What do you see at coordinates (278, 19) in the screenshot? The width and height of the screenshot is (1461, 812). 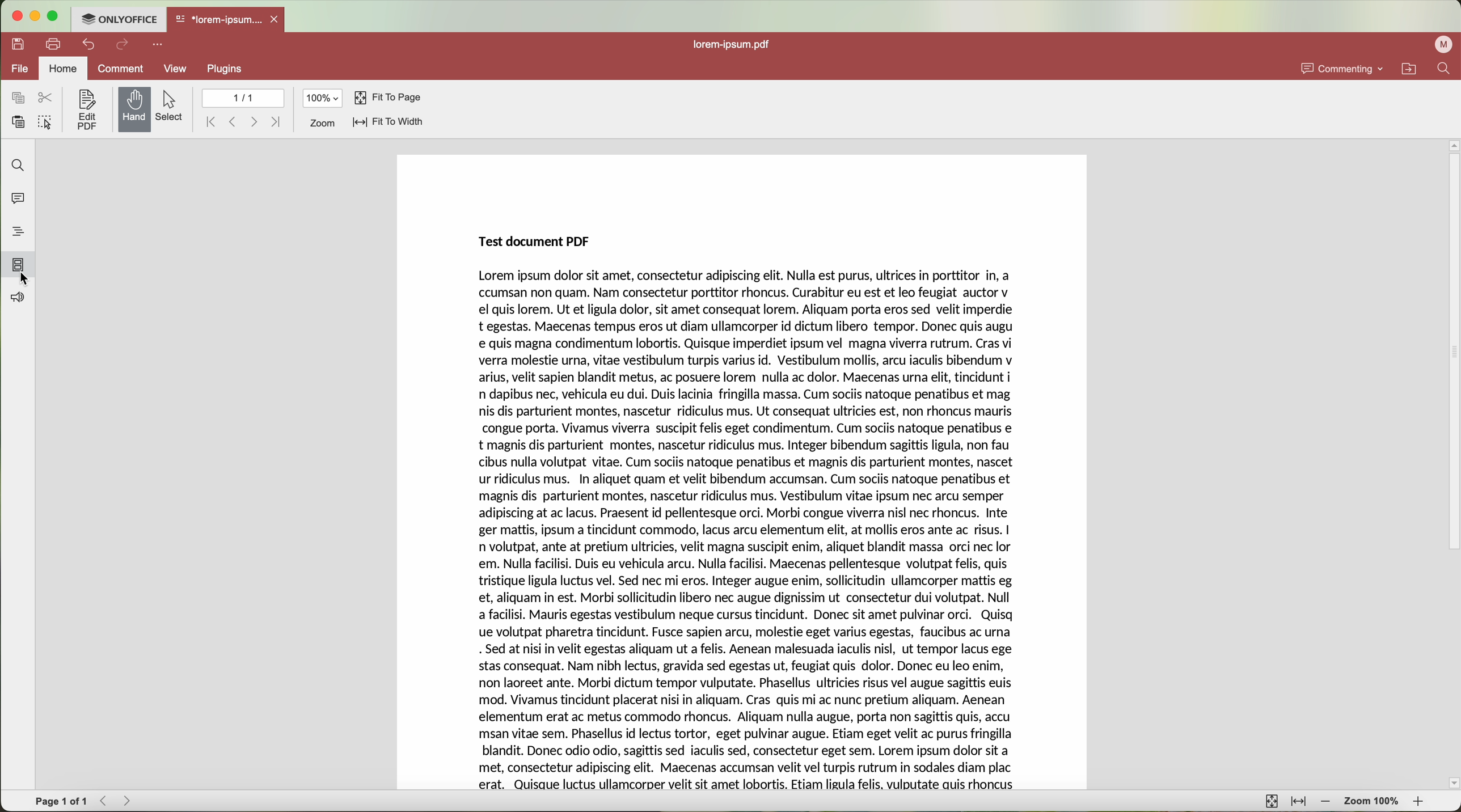 I see `close` at bounding box center [278, 19].